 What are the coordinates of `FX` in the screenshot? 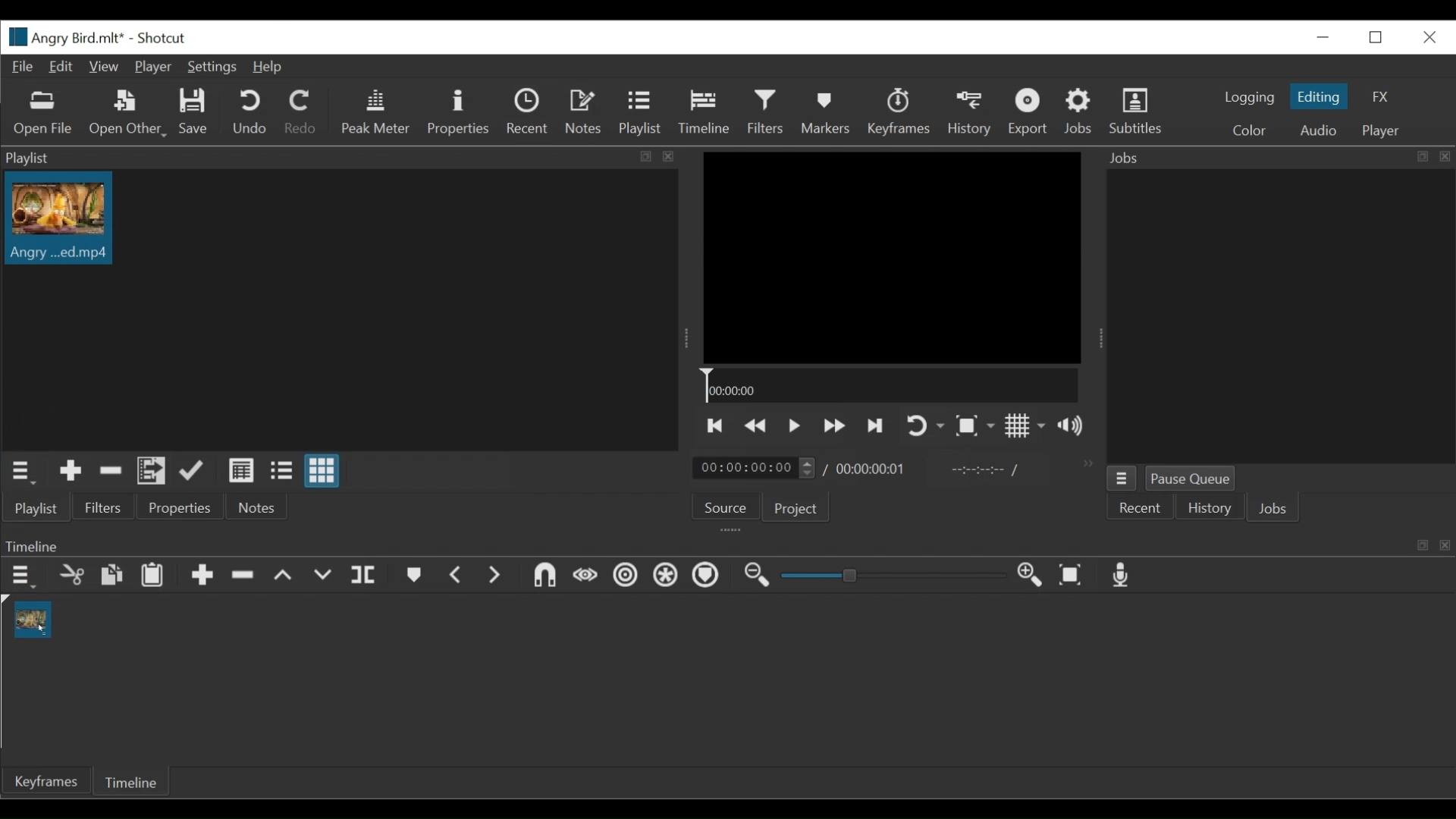 It's located at (1384, 97).